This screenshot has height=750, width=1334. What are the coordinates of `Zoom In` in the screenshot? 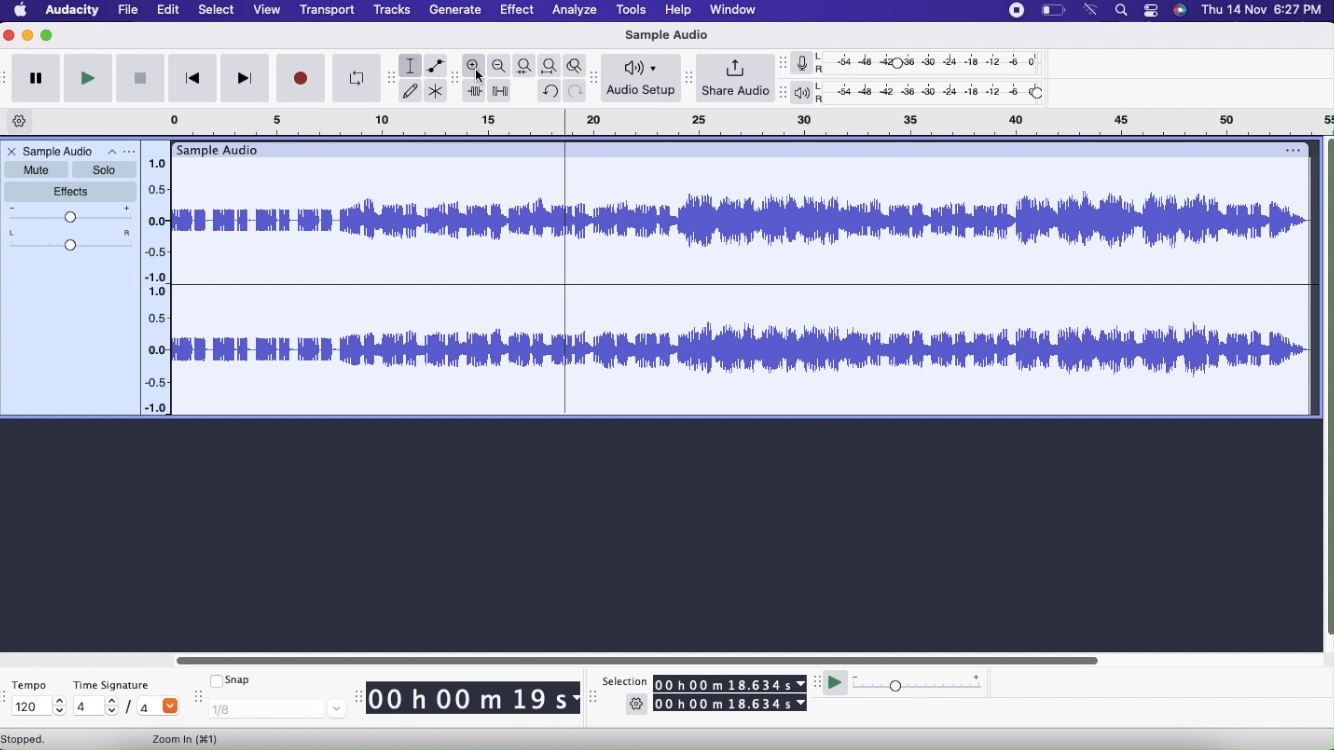 It's located at (188, 739).